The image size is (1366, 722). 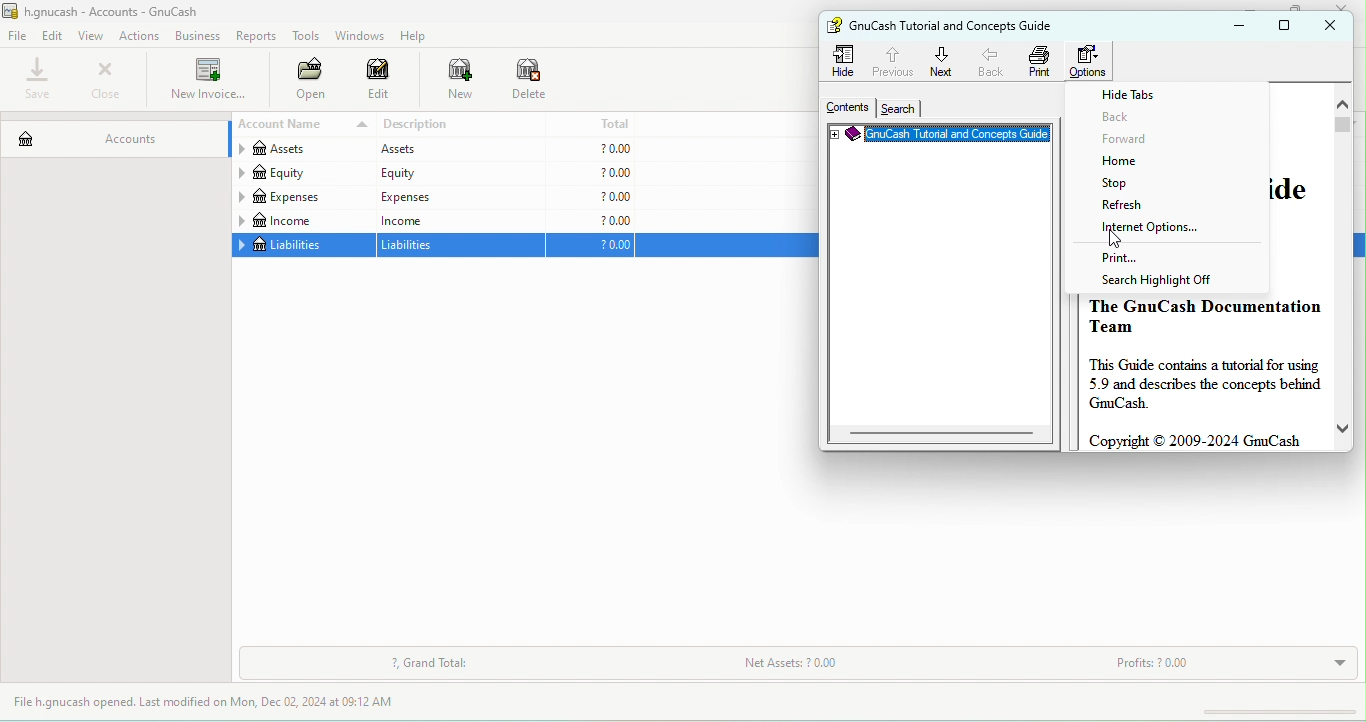 What do you see at coordinates (531, 81) in the screenshot?
I see `delete` at bounding box center [531, 81].